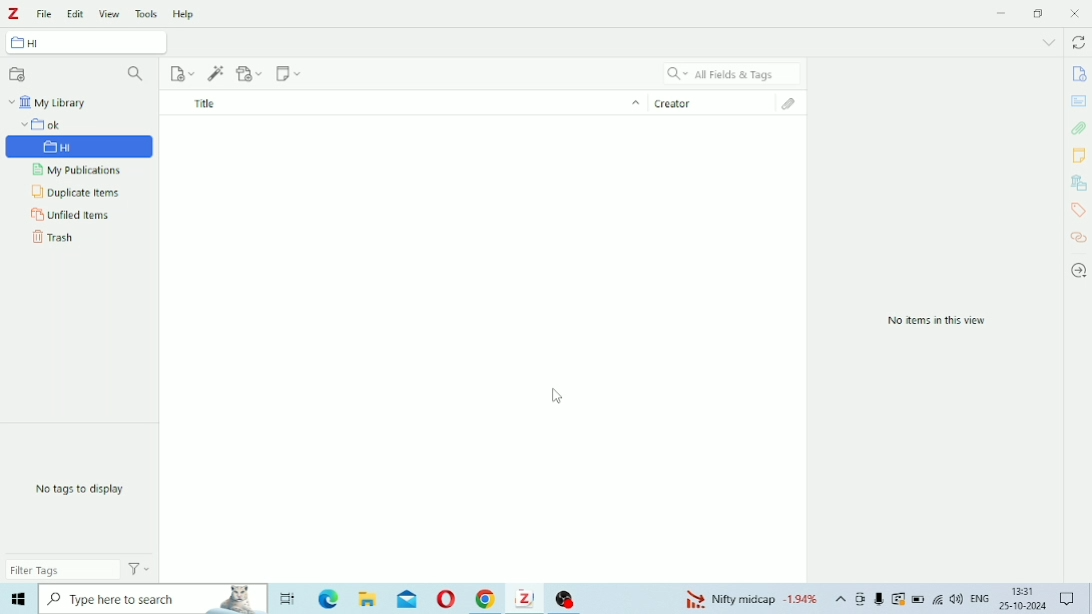  I want to click on Hi, so click(81, 143).